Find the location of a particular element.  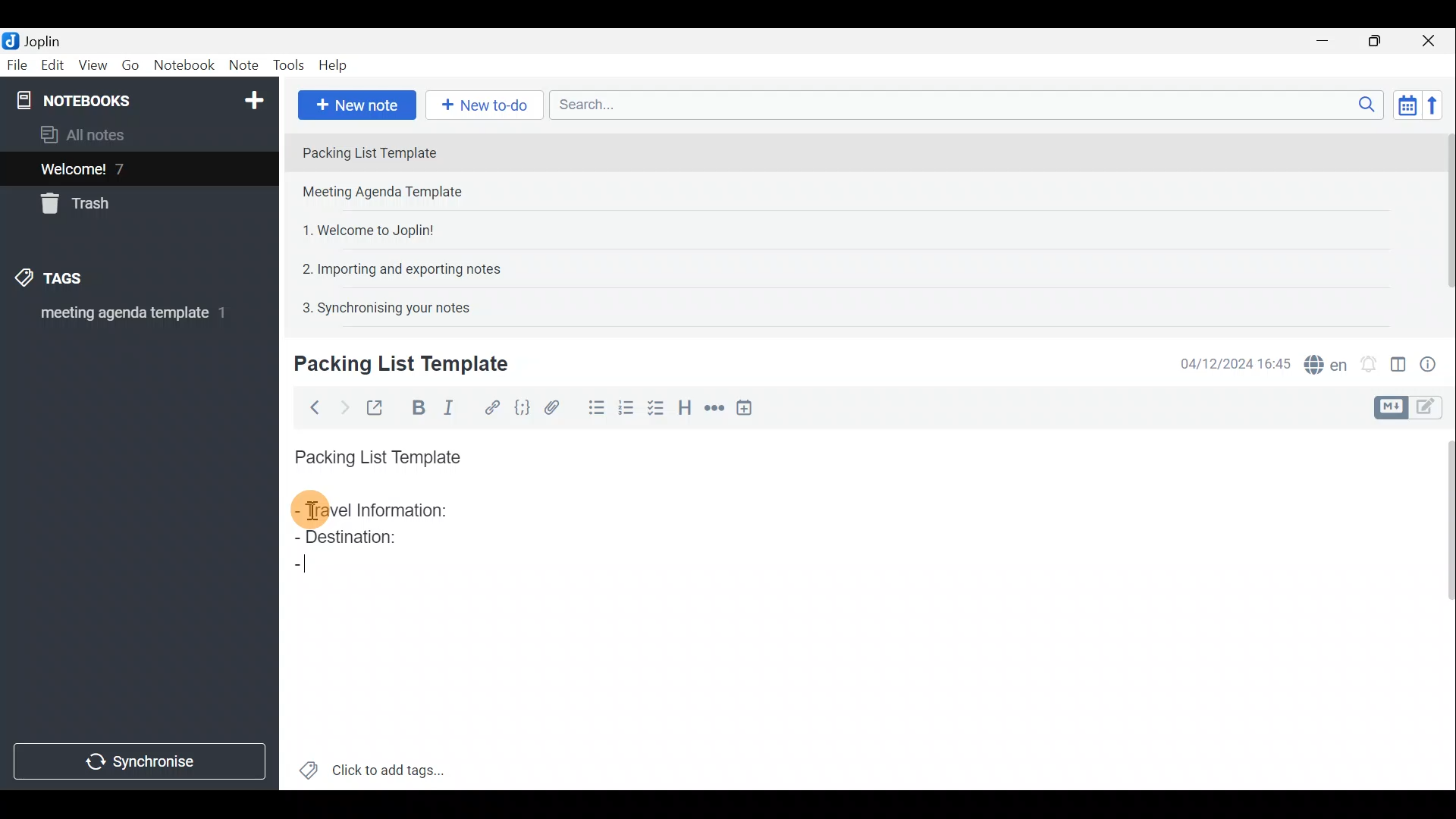

Joplin is located at coordinates (36, 40).